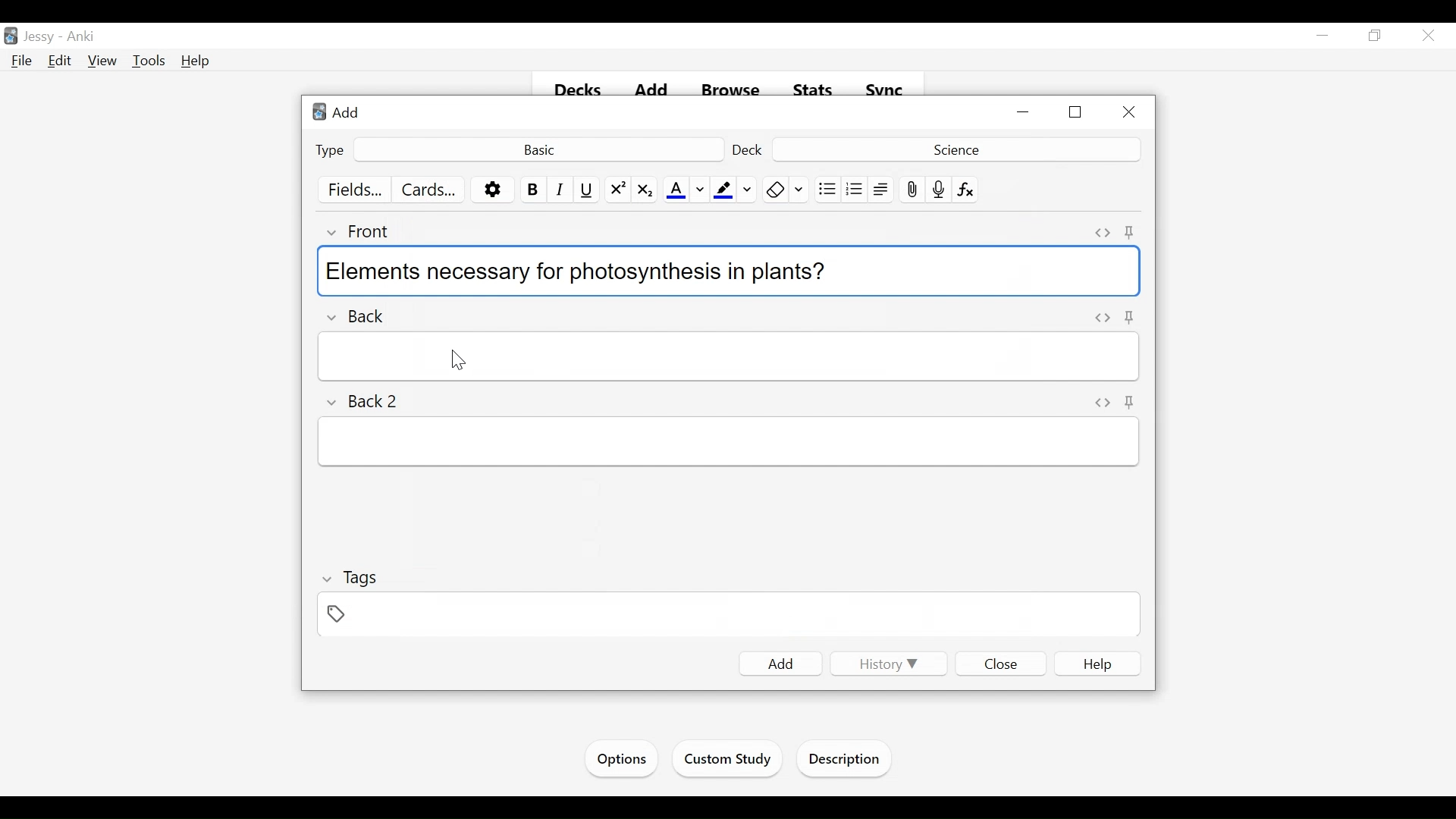  What do you see at coordinates (1103, 401) in the screenshot?
I see `Toggle HTML Editor` at bounding box center [1103, 401].